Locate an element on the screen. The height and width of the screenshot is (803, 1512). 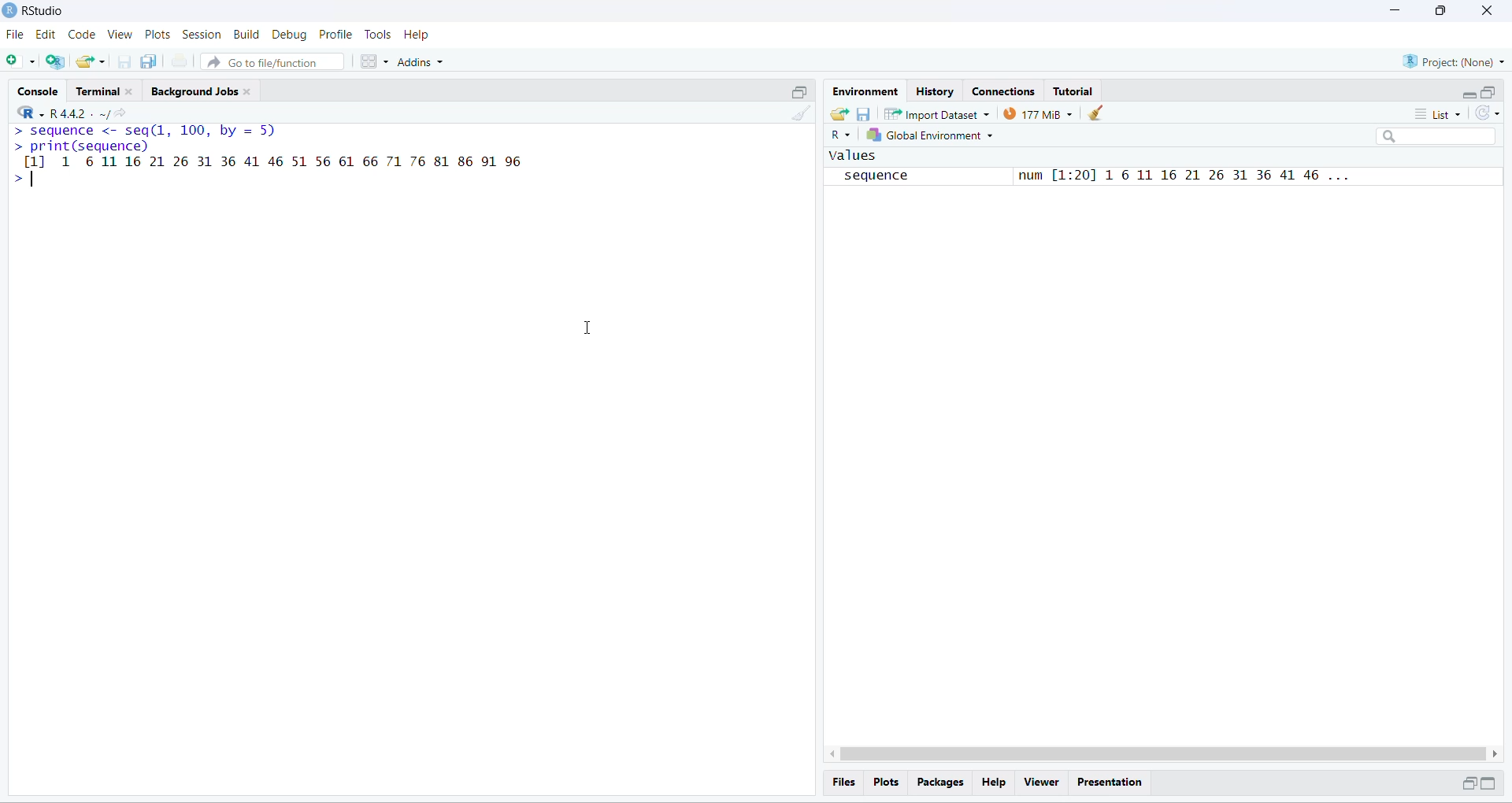
add R file is located at coordinates (55, 62).